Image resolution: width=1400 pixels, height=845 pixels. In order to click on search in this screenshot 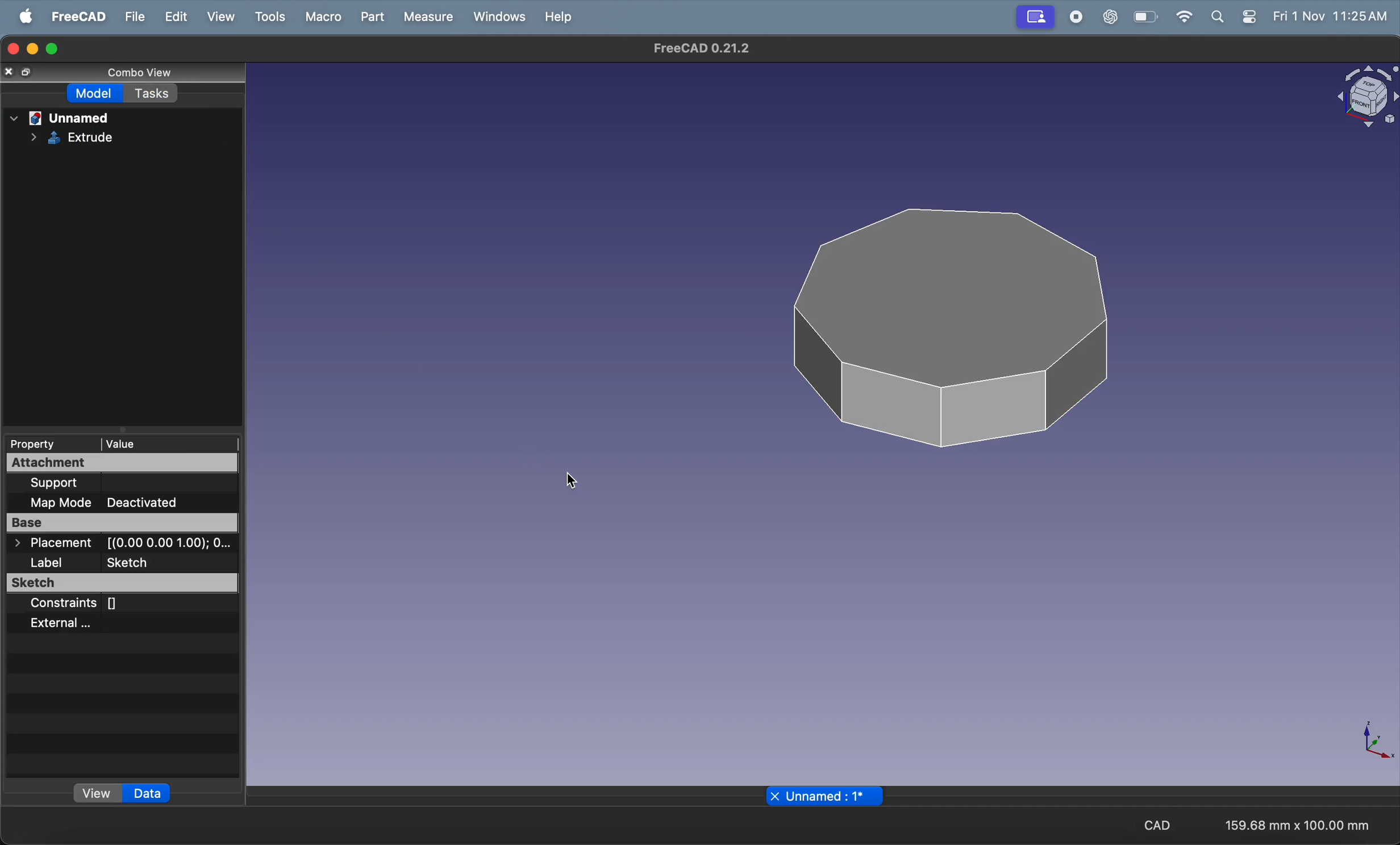, I will do `click(1217, 16)`.